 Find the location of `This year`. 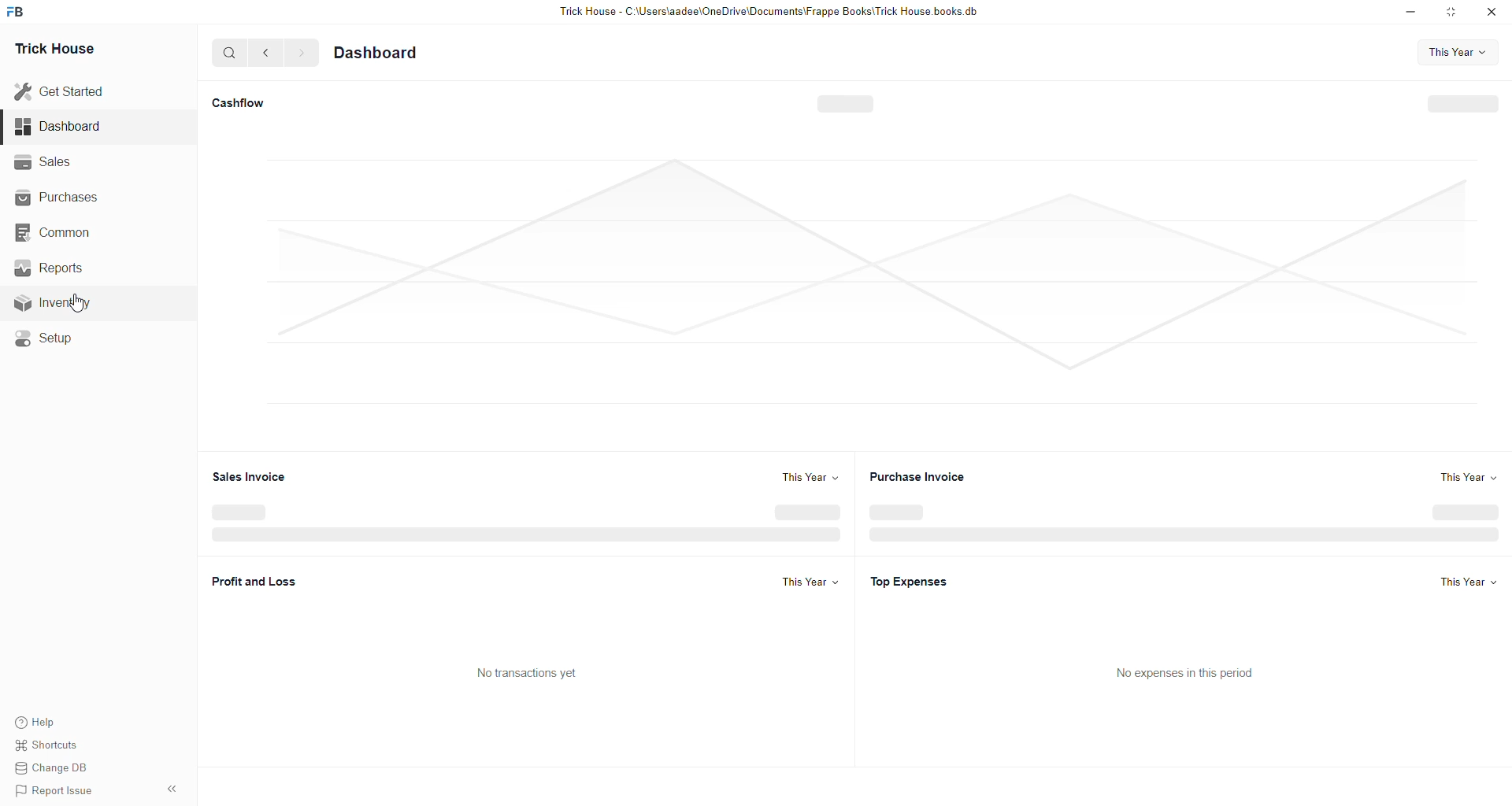

This year is located at coordinates (1467, 586).